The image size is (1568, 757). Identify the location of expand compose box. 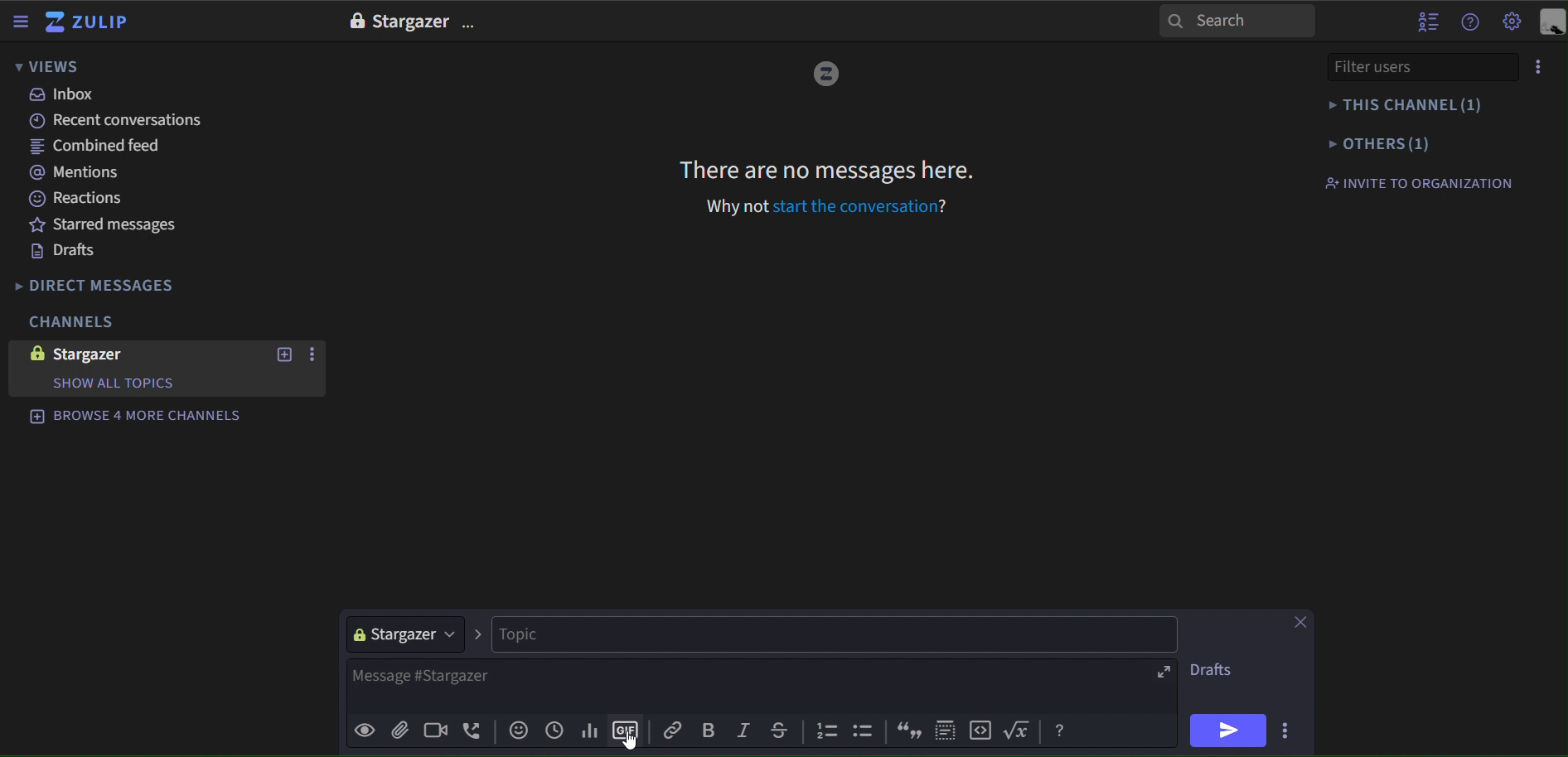
(1161, 673).